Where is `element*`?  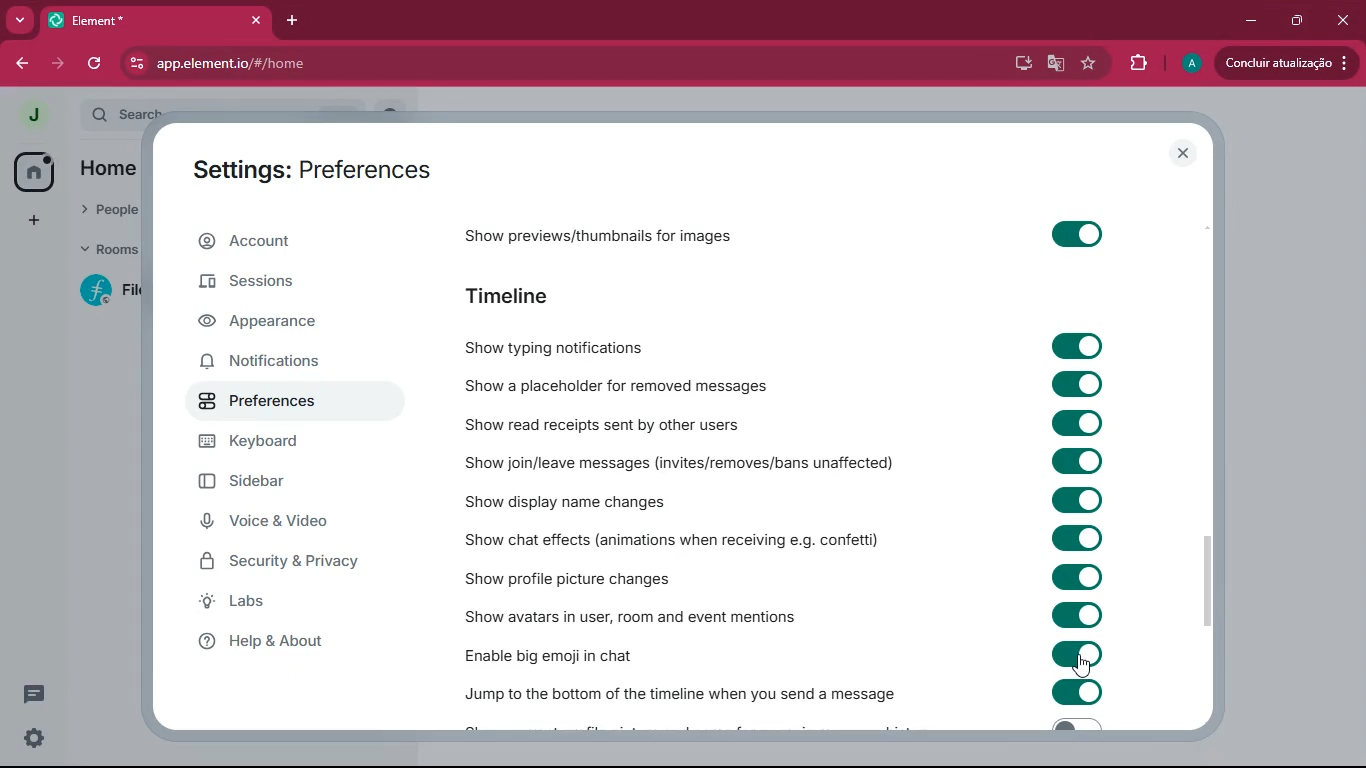 element* is located at coordinates (114, 19).